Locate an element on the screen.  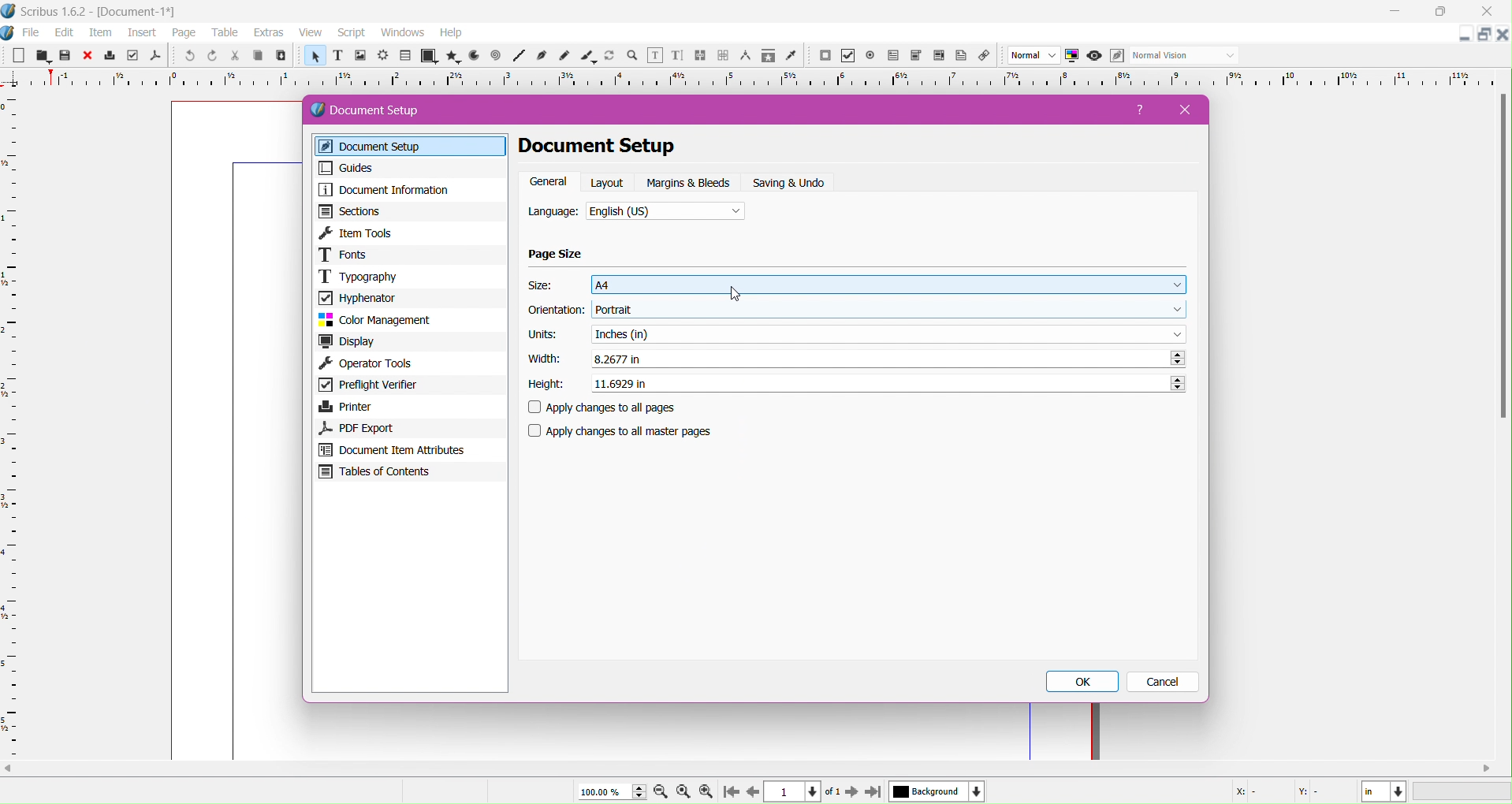
measuring scale is located at coordinates (752, 80).